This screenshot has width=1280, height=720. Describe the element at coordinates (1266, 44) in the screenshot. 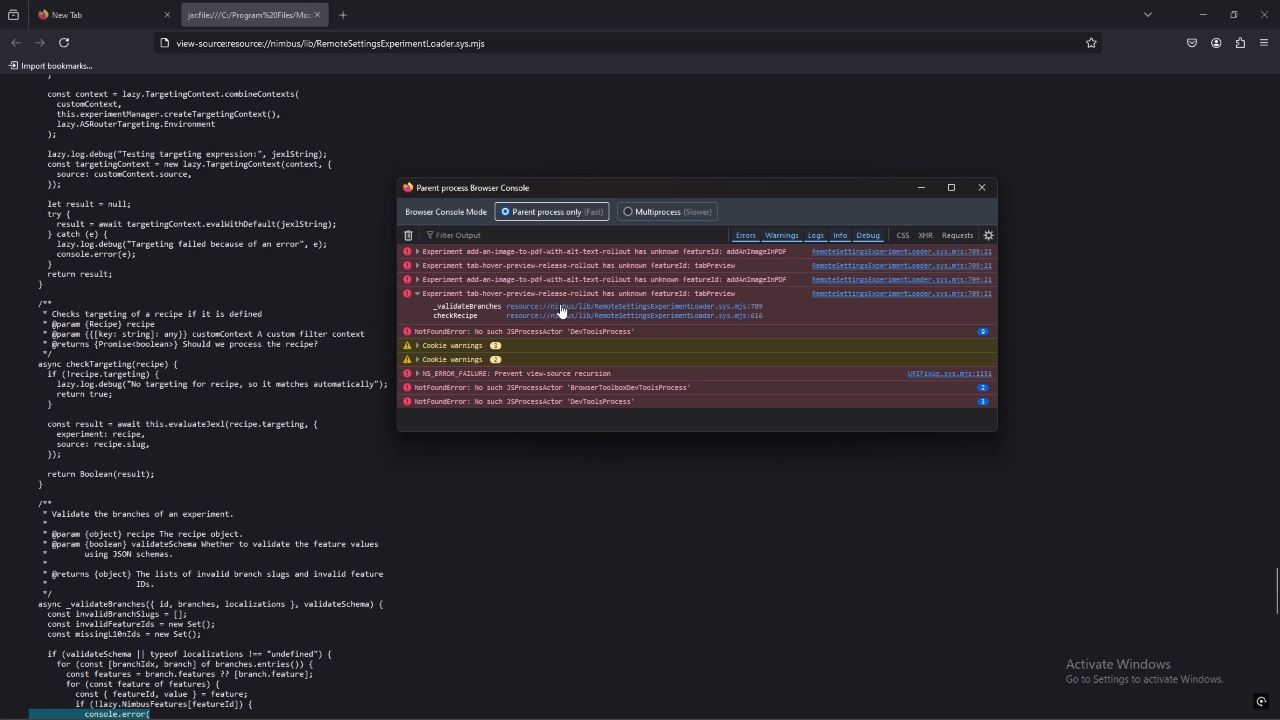

I see `application menu` at that location.